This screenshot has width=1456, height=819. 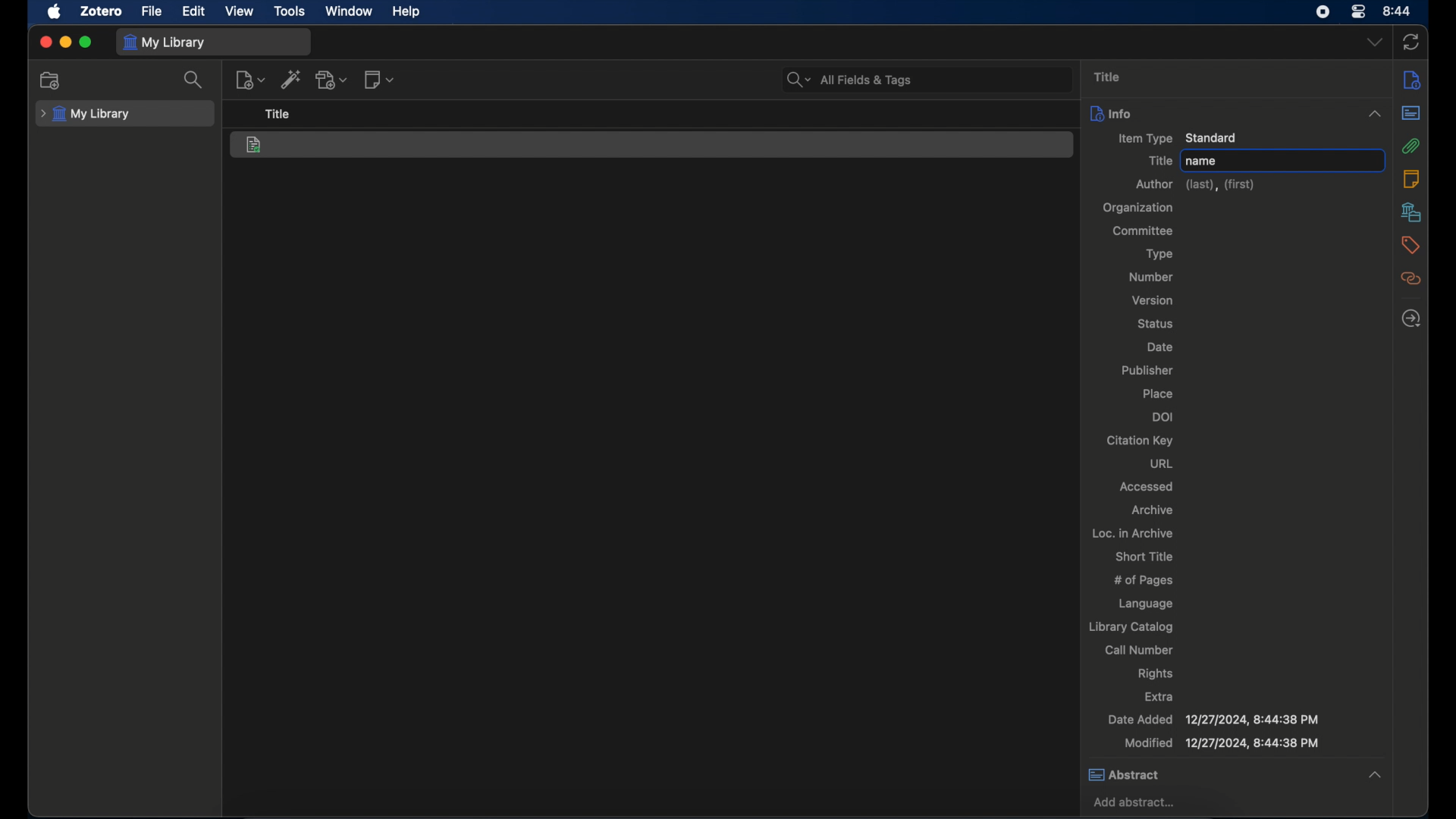 I want to click on publisher, so click(x=1146, y=371).